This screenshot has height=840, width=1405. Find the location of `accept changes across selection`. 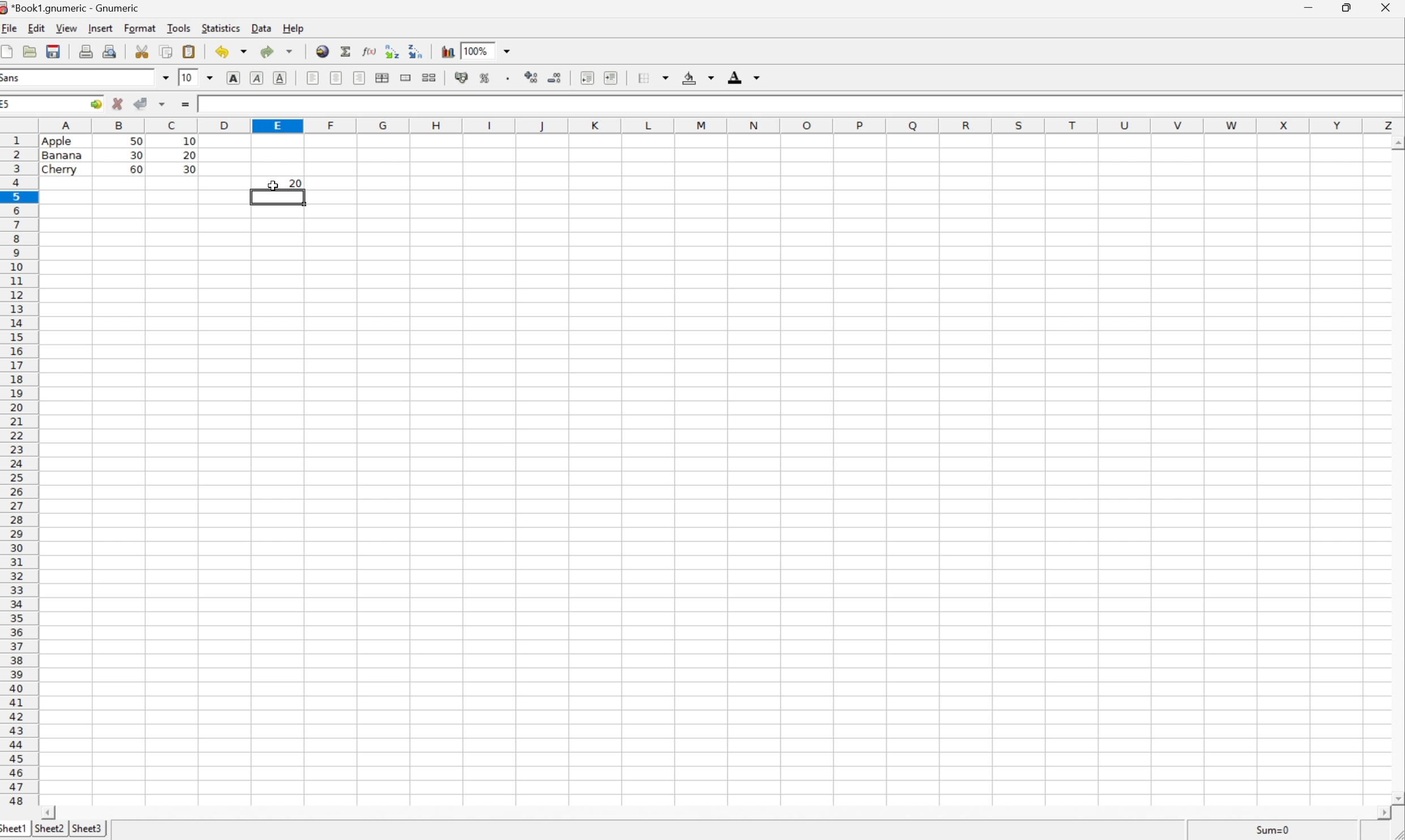

accept changes across selection is located at coordinates (164, 104).